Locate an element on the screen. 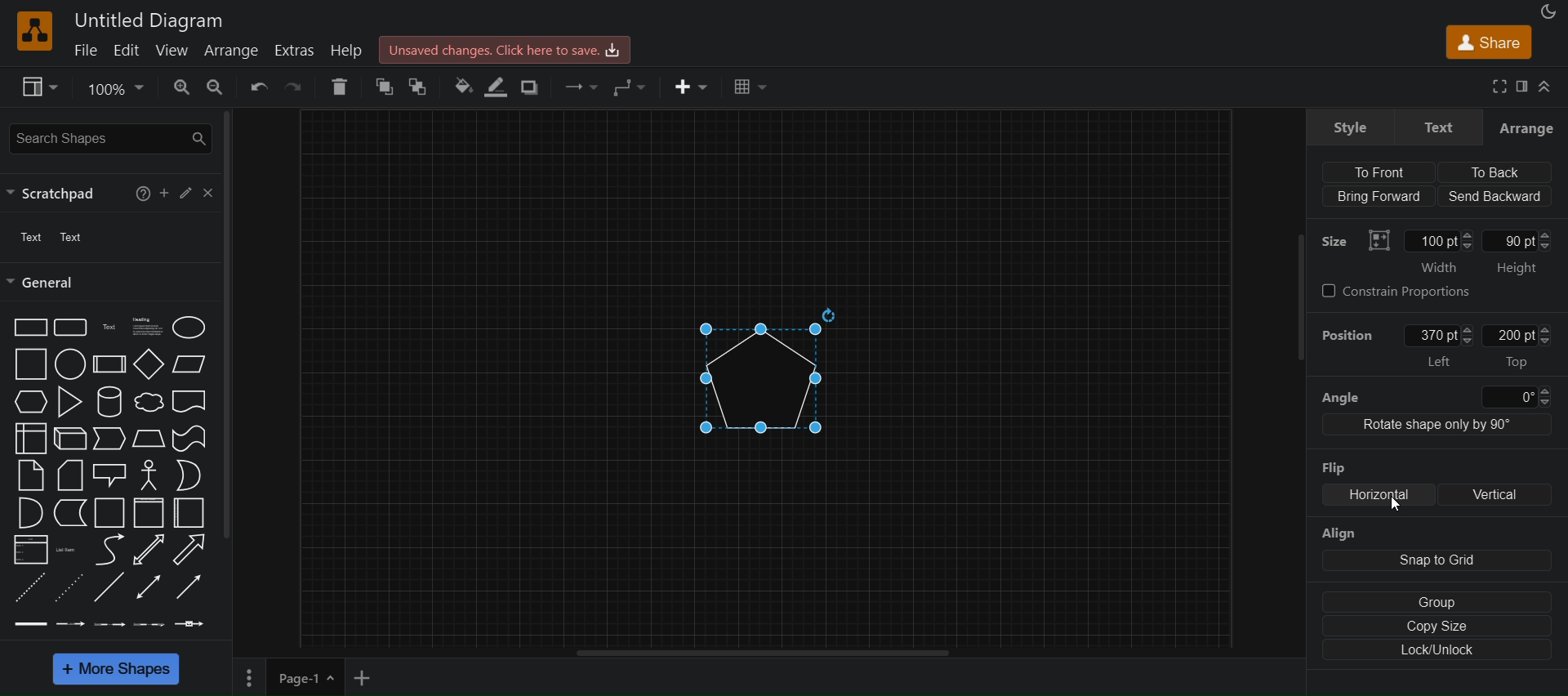 Image resolution: width=1568 pixels, height=696 pixels. List item is located at coordinates (69, 551).